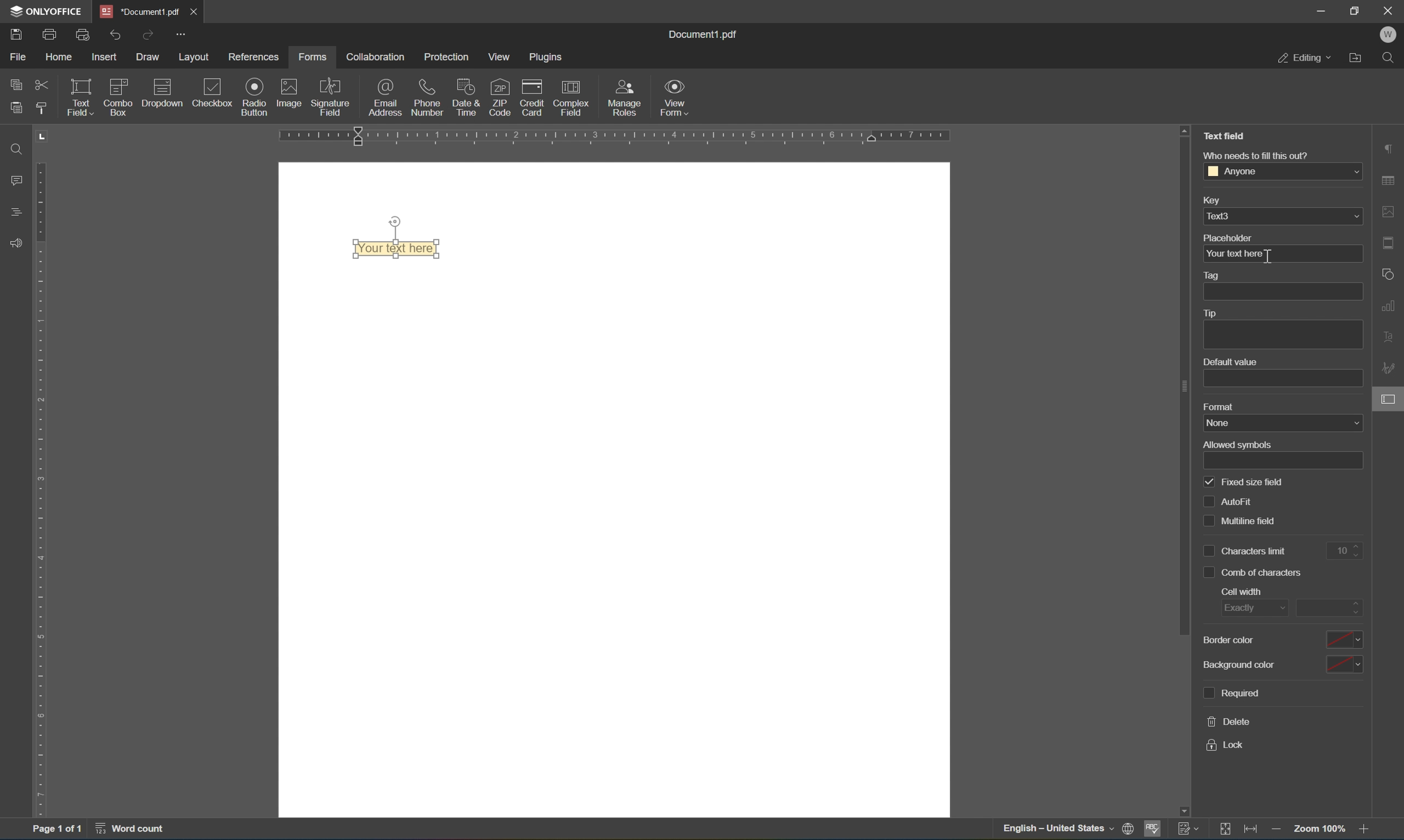  What do you see at coordinates (1226, 748) in the screenshot?
I see `lock` at bounding box center [1226, 748].